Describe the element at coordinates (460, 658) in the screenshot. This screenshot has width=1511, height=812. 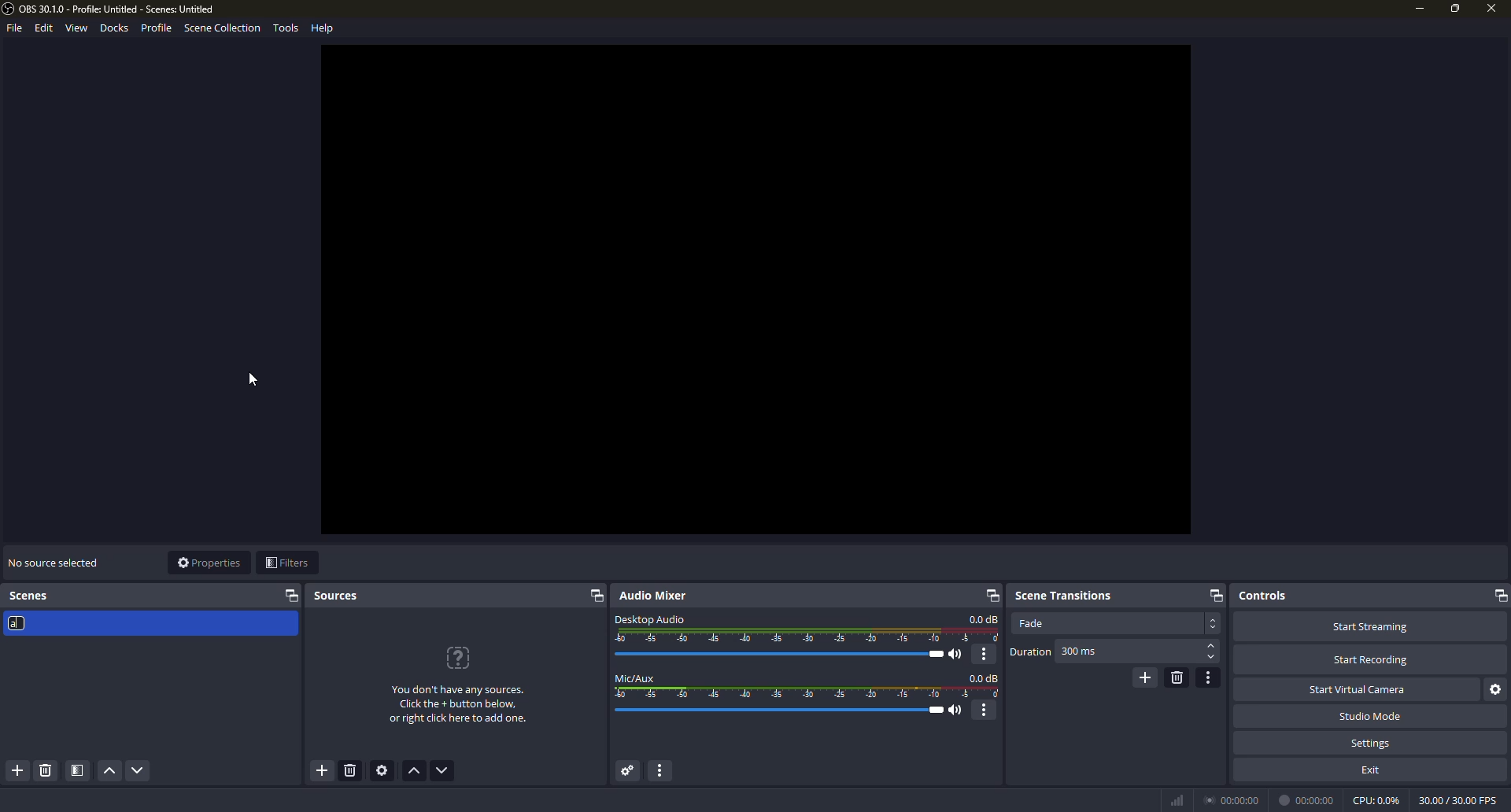
I see `?` at that location.